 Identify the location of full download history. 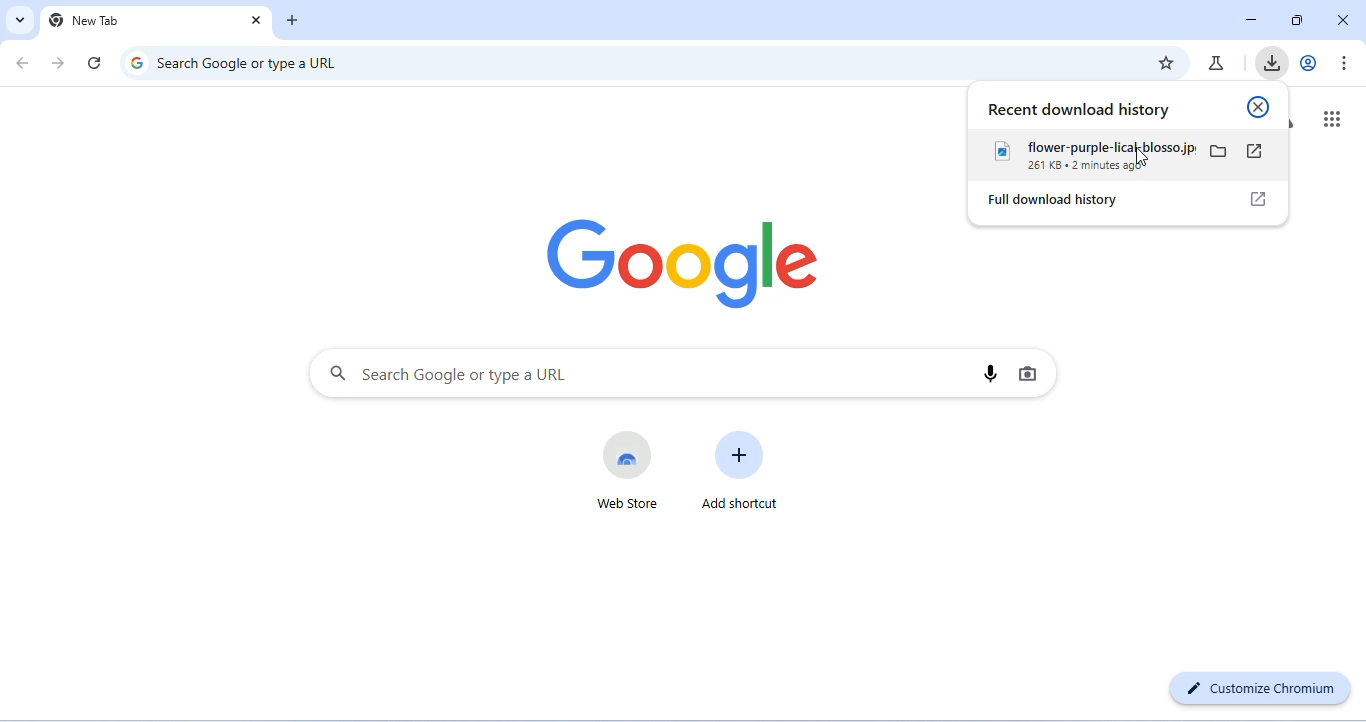
(1059, 201).